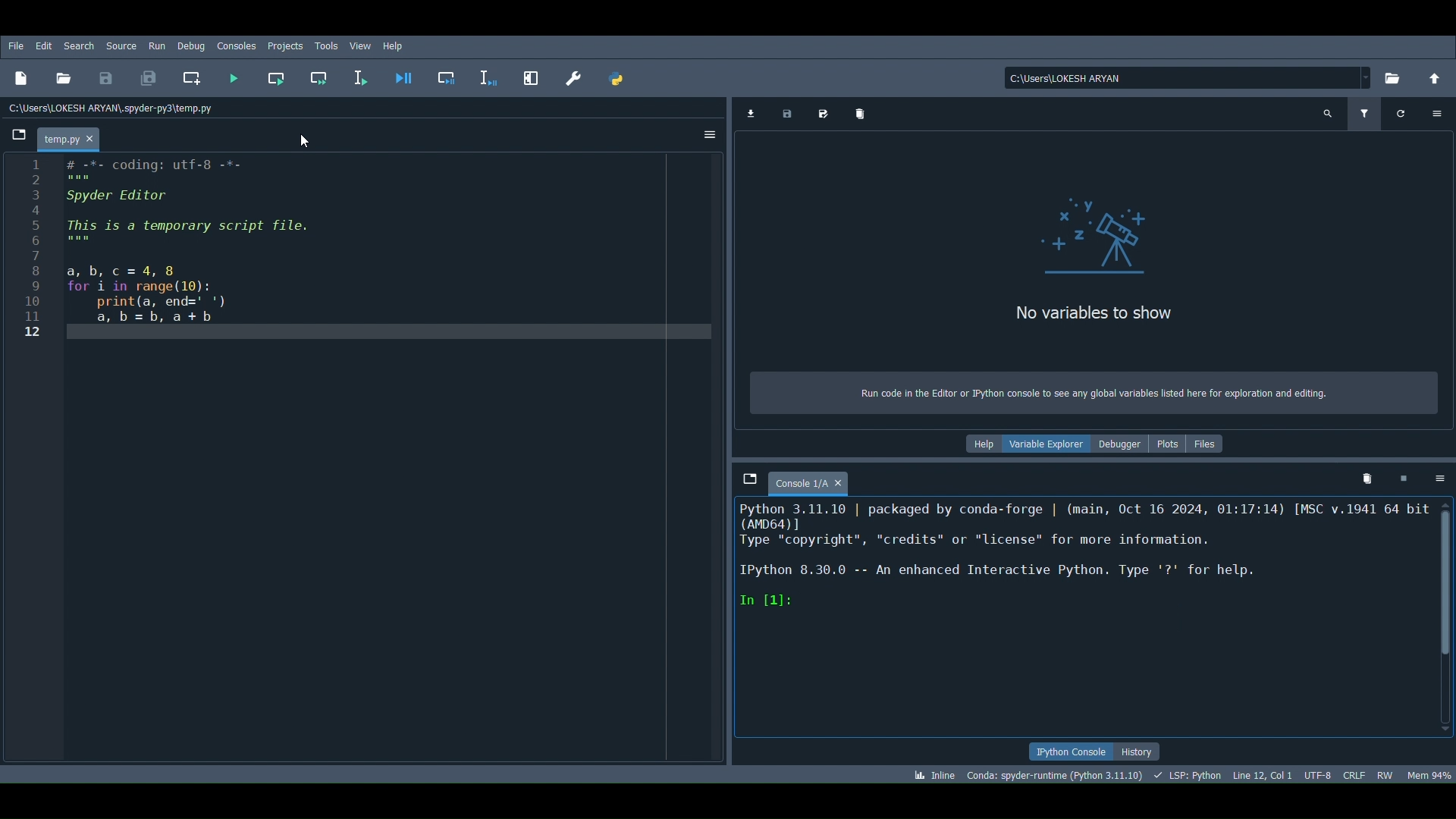 The height and width of the screenshot is (819, 1456). What do you see at coordinates (488, 76) in the screenshot?
I see `Debug selection or current line` at bounding box center [488, 76].